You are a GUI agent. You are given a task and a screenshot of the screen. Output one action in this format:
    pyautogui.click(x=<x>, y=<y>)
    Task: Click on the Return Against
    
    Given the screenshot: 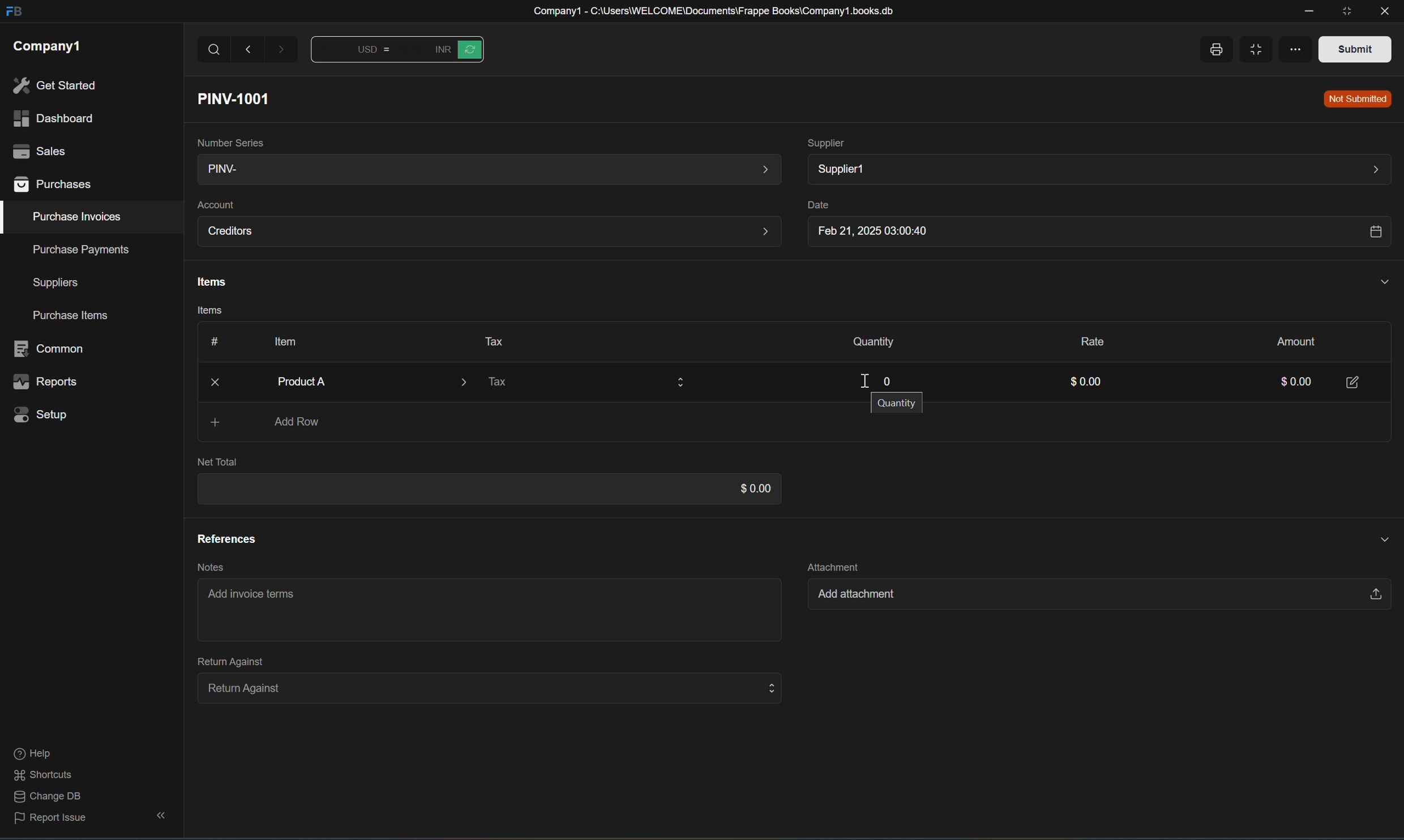 What is the action you would take?
    pyautogui.click(x=224, y=661)
    